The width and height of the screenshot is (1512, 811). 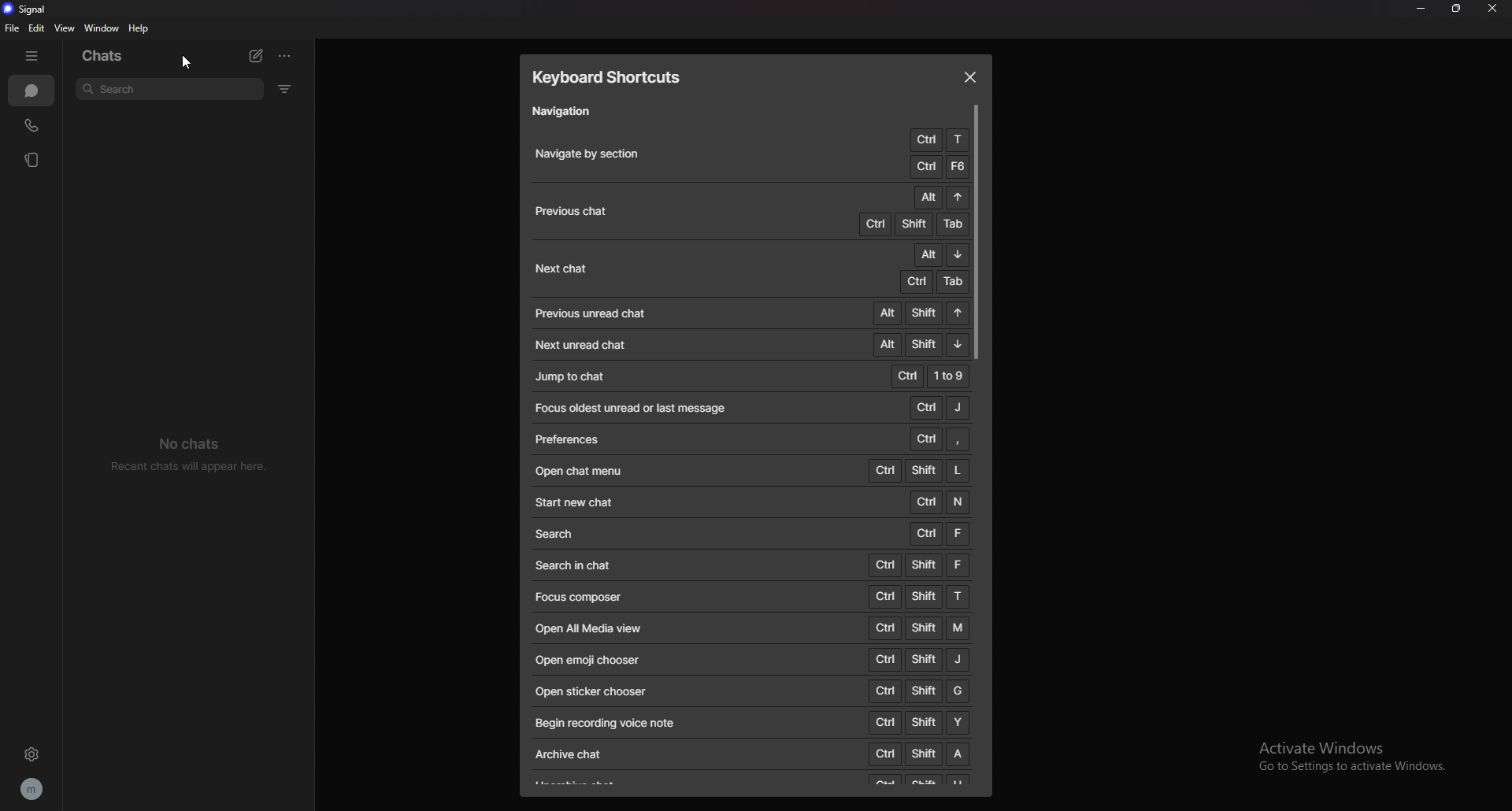 I want to click on CTRl + SHIFT + L, so click(x=921, y=469).